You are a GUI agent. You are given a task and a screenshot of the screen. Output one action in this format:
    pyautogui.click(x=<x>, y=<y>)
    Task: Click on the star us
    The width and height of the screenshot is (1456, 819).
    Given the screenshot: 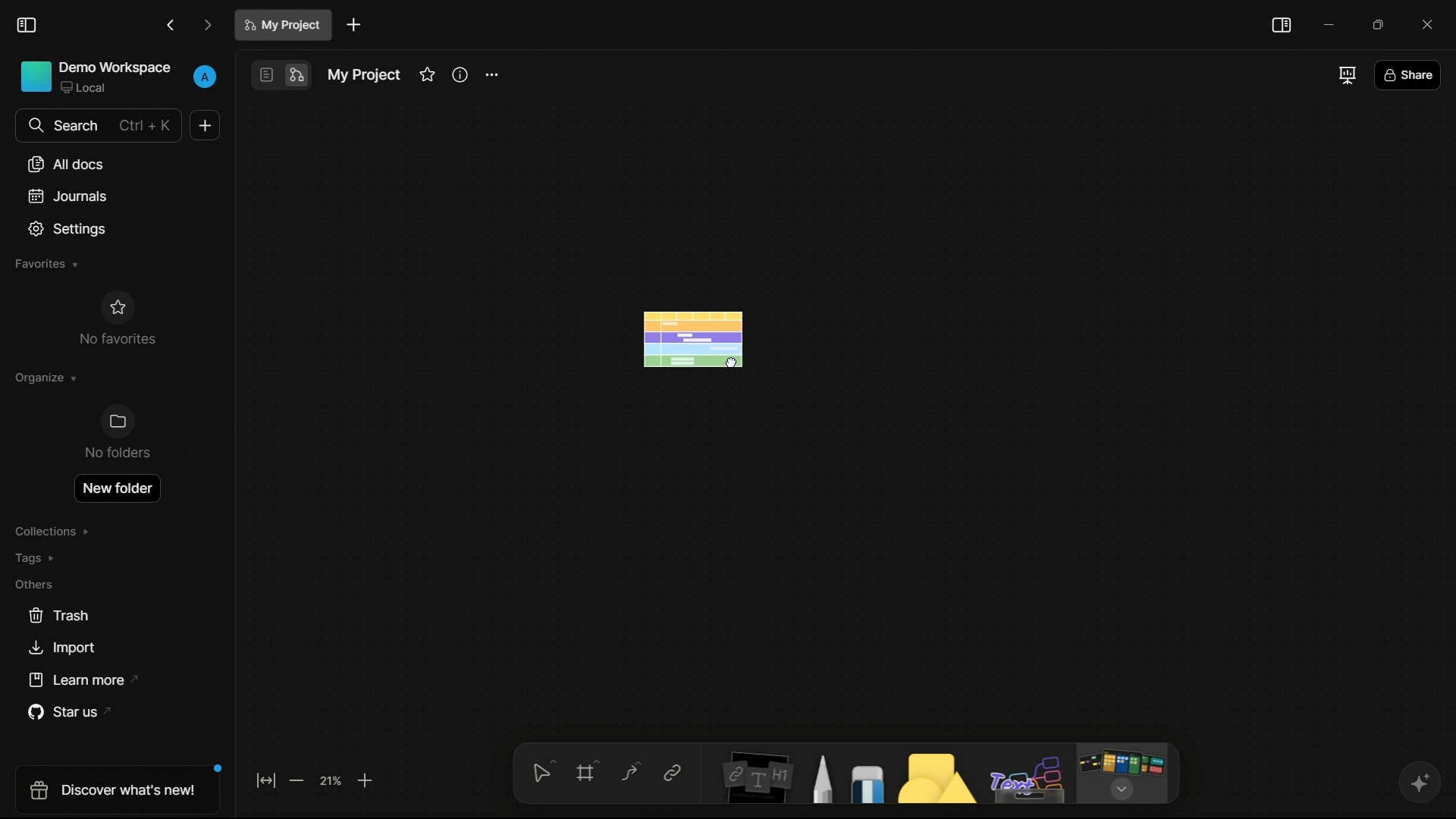 What is the action you would take?
    pyautogui.click(x=64, y=712)
    